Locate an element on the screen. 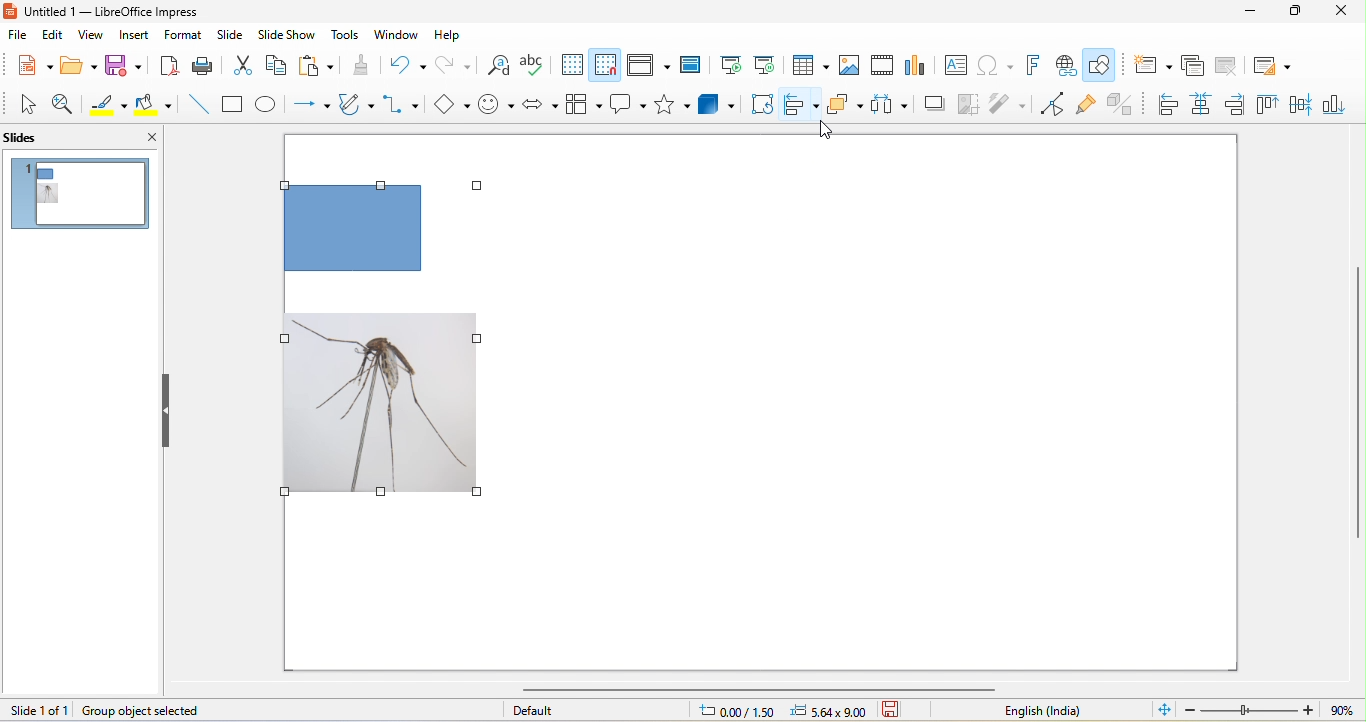 Image resolution: width=1366 pixels, height=722 pixels. horizontal scroll bar is located at coordinates (765, 689).